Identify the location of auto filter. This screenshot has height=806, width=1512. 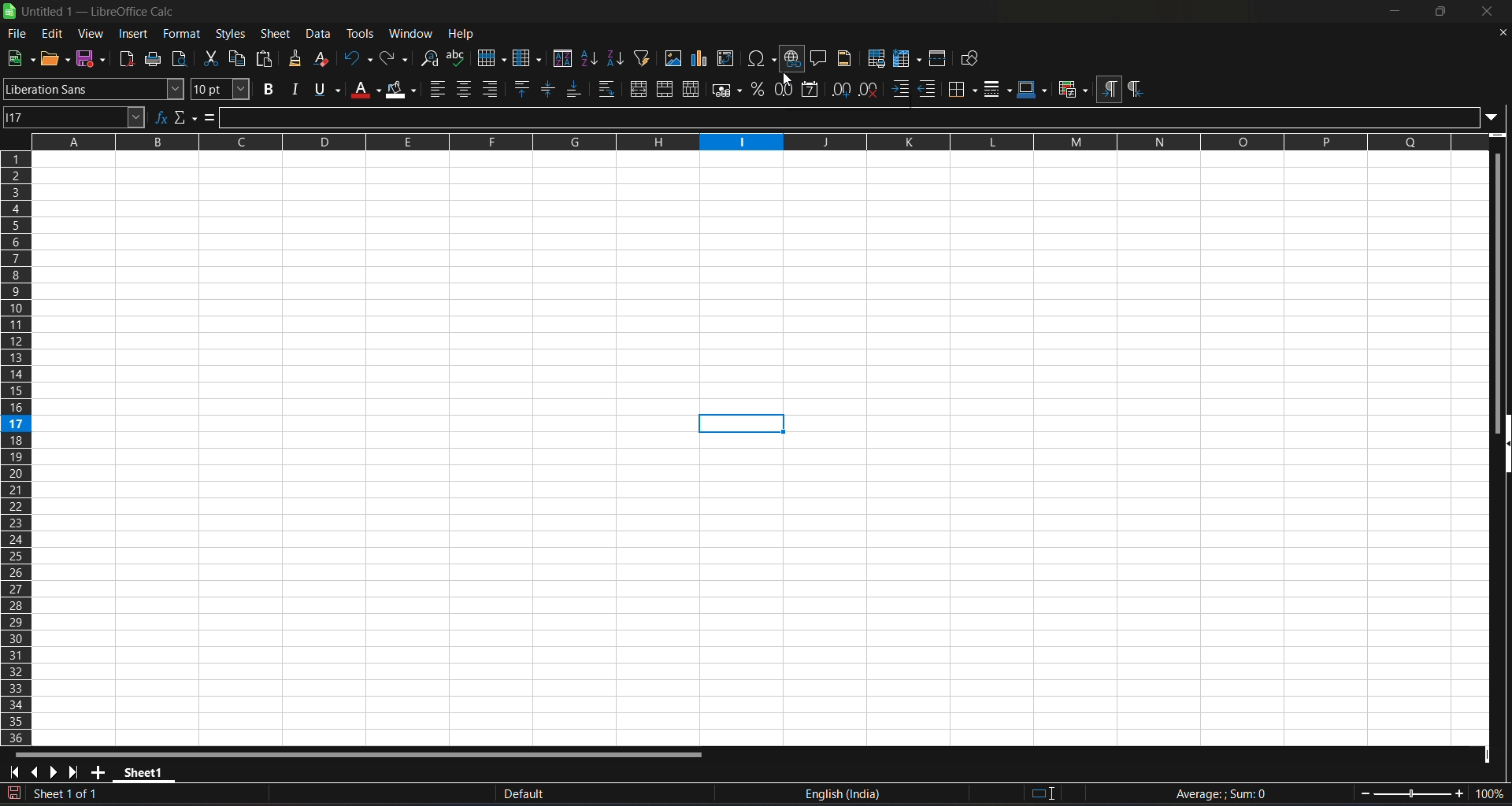
(643, 57).